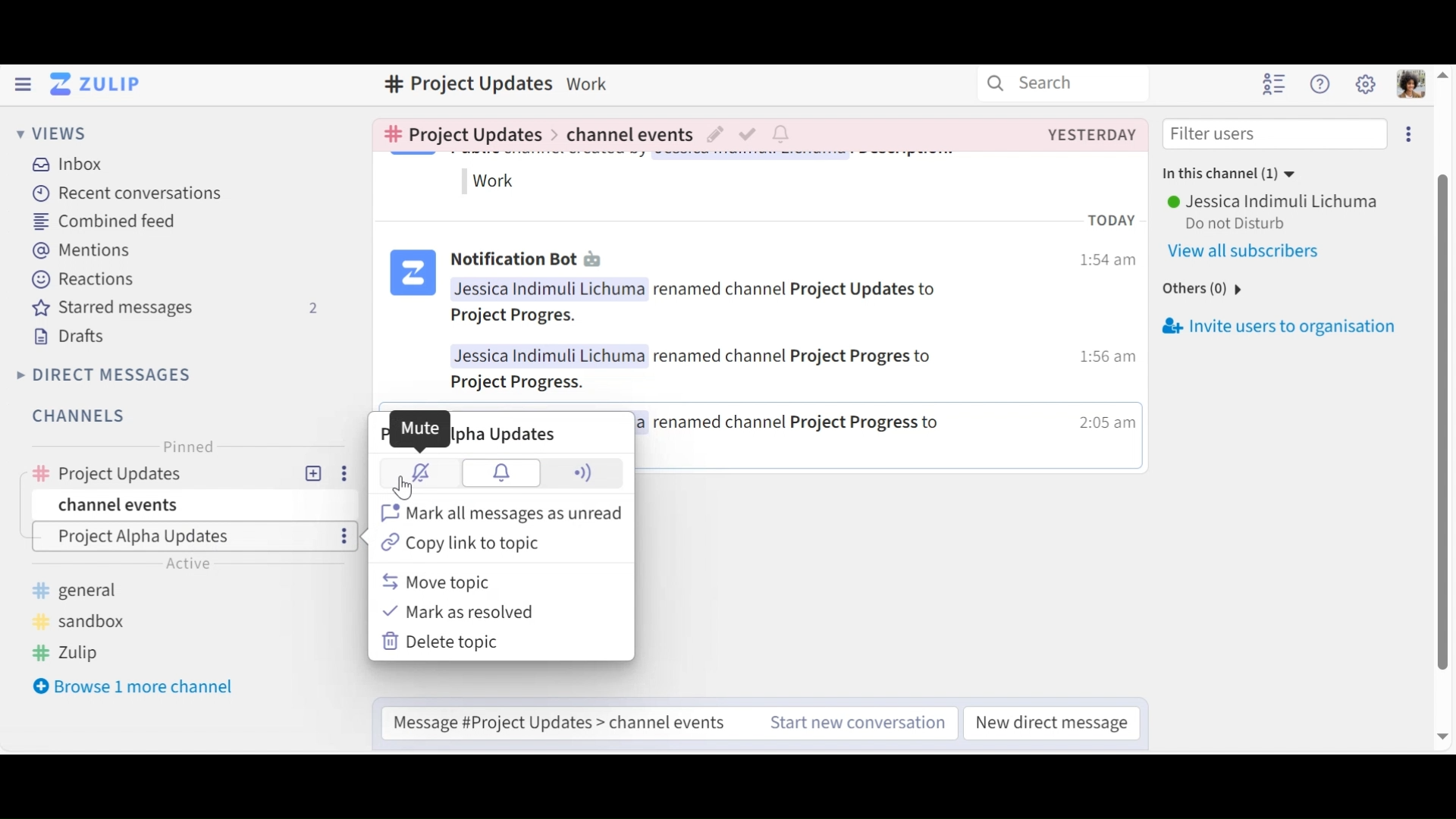 This screenshot has height=819, width=1456. What do you see at coordinates (65, 166) in the screenshot?
I see `Inbox` at bounding box center [65, 166].